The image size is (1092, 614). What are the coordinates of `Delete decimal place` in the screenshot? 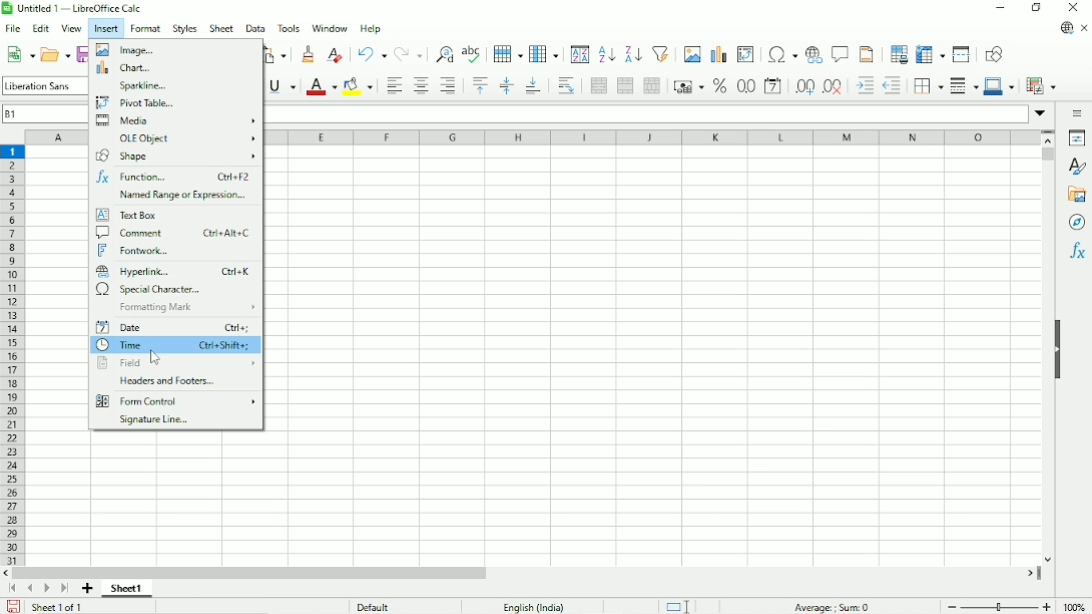 It's located at (833, 86).